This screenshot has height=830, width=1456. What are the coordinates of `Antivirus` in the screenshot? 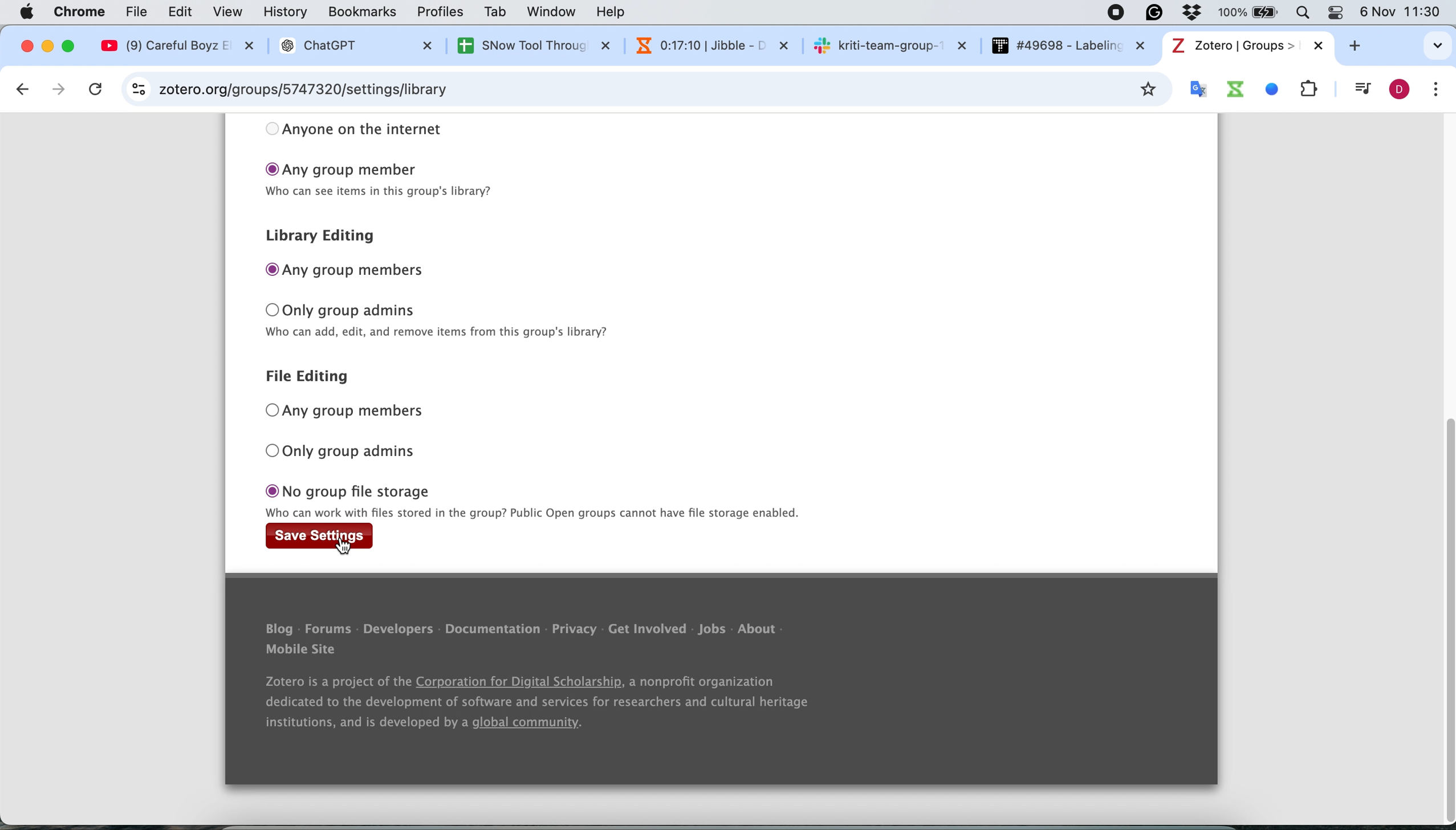 It's located at (1197, 11).